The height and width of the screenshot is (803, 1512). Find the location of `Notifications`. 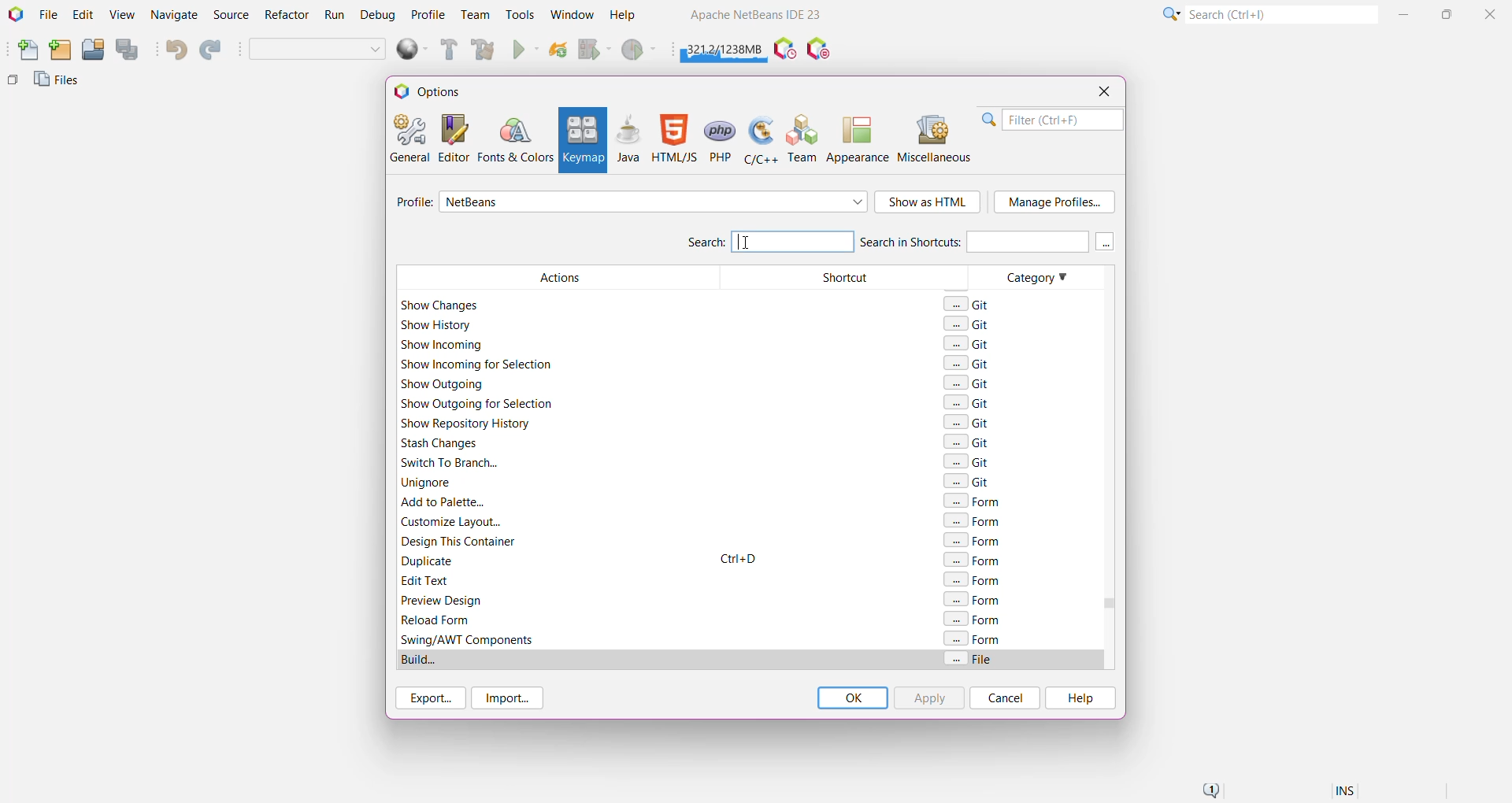

Notifications is located at coordinates (1210, 791).